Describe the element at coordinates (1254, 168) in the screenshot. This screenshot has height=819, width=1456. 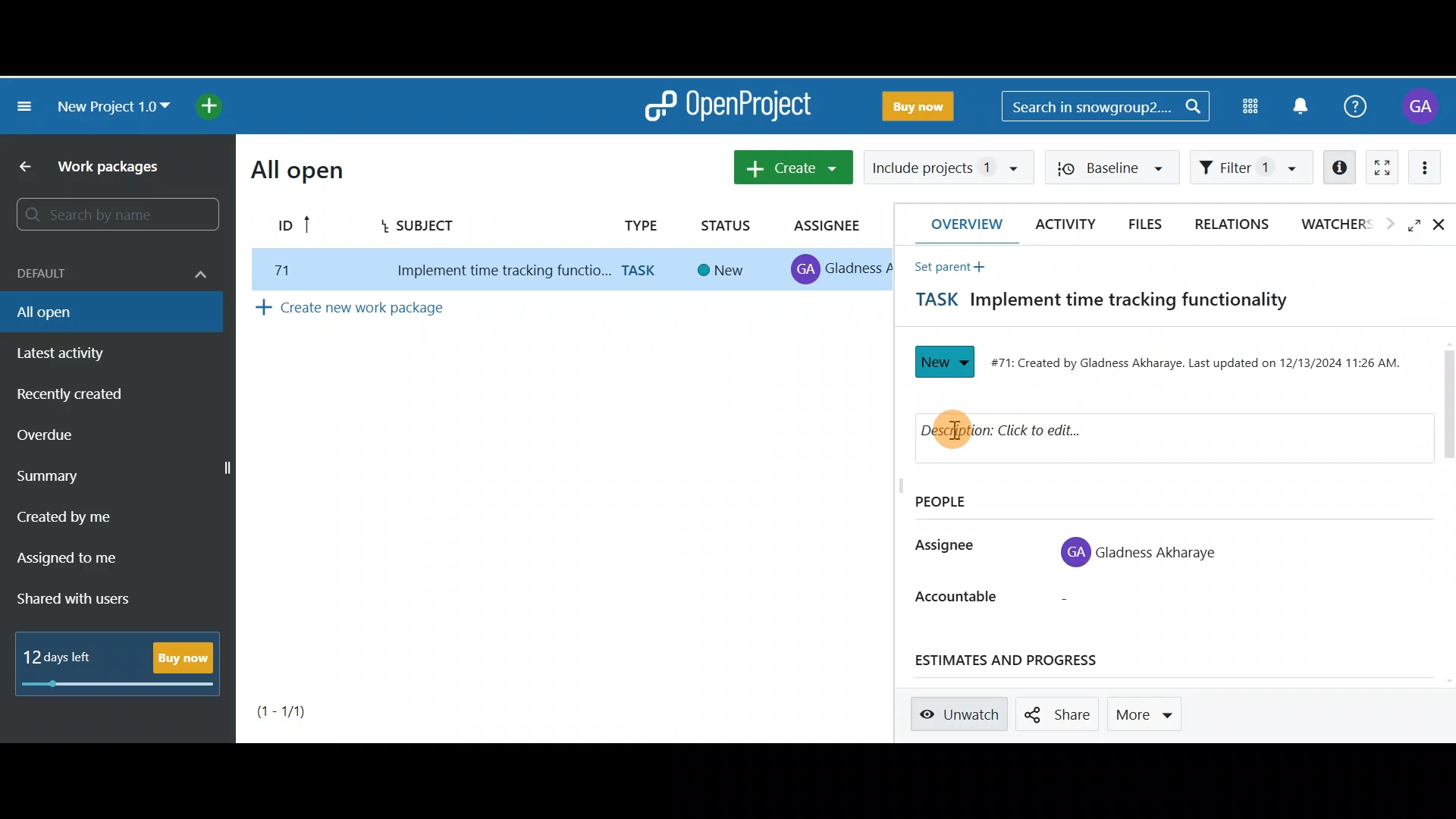
I see `Filter` at that location.